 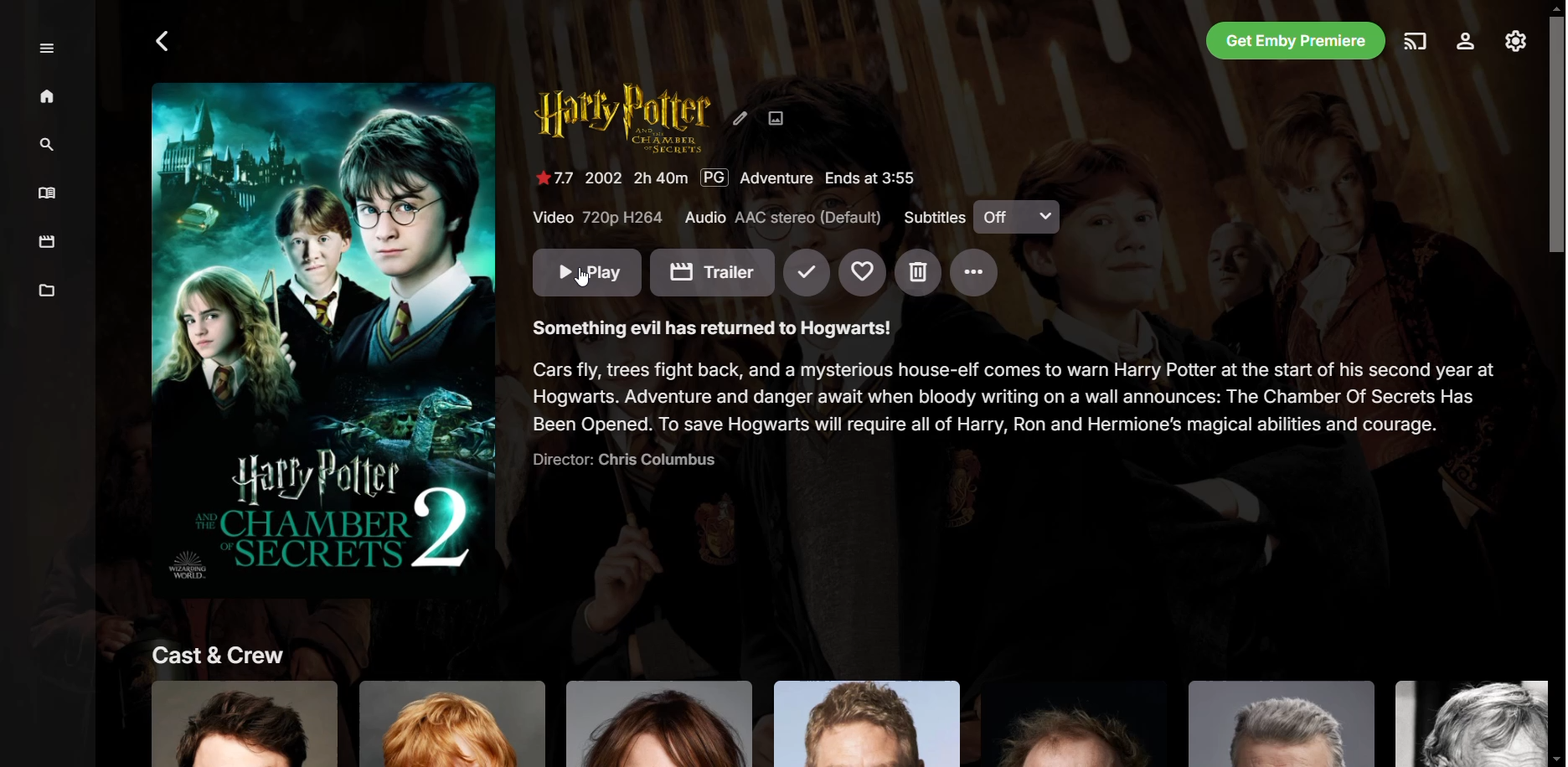 What do you see at coordinates (51, 145) in the screenshot?
I see `Search` at bounding box center [51, 145].